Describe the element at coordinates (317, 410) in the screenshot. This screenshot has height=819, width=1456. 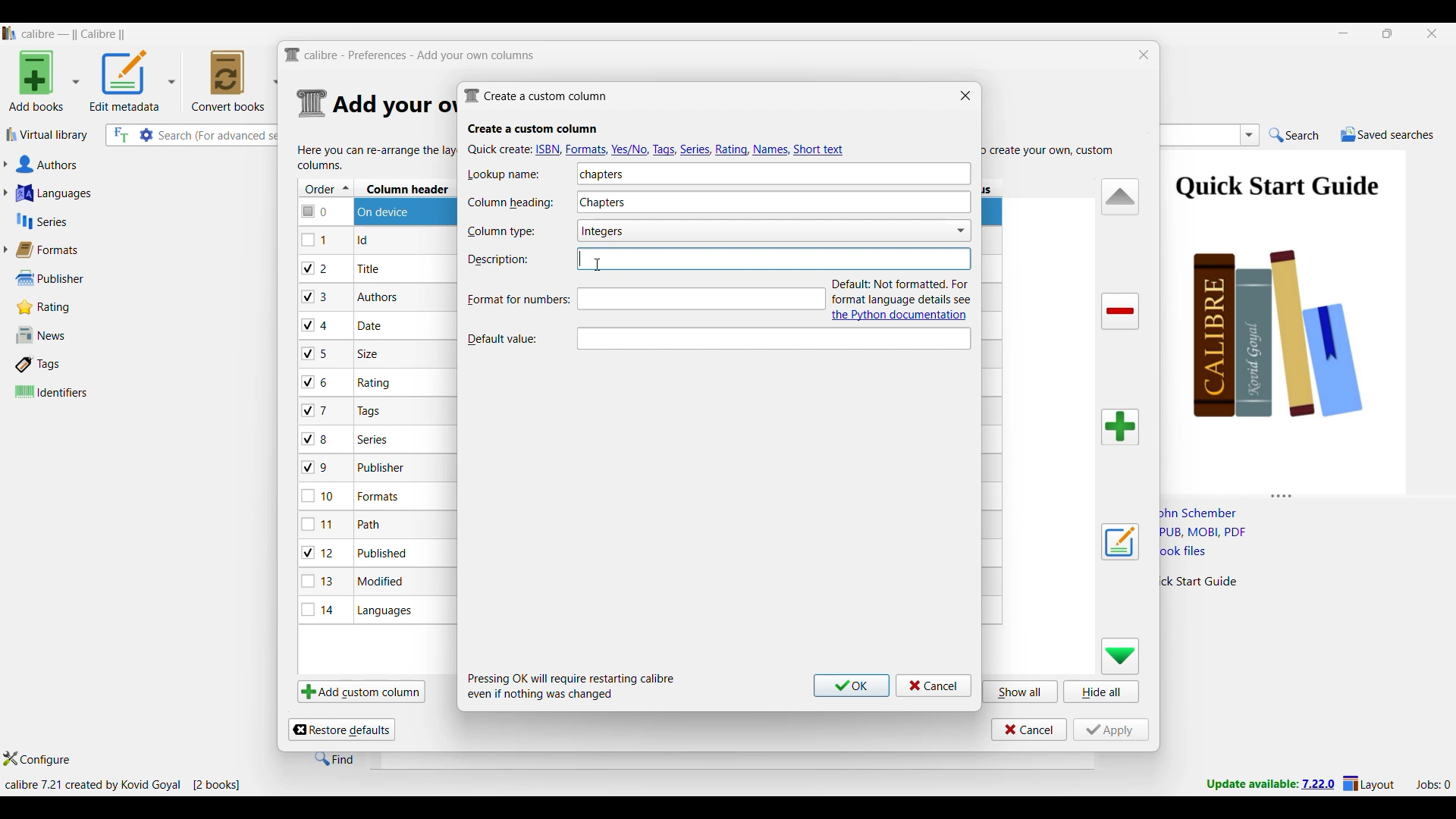
I see `checkbox - 7` at that location.